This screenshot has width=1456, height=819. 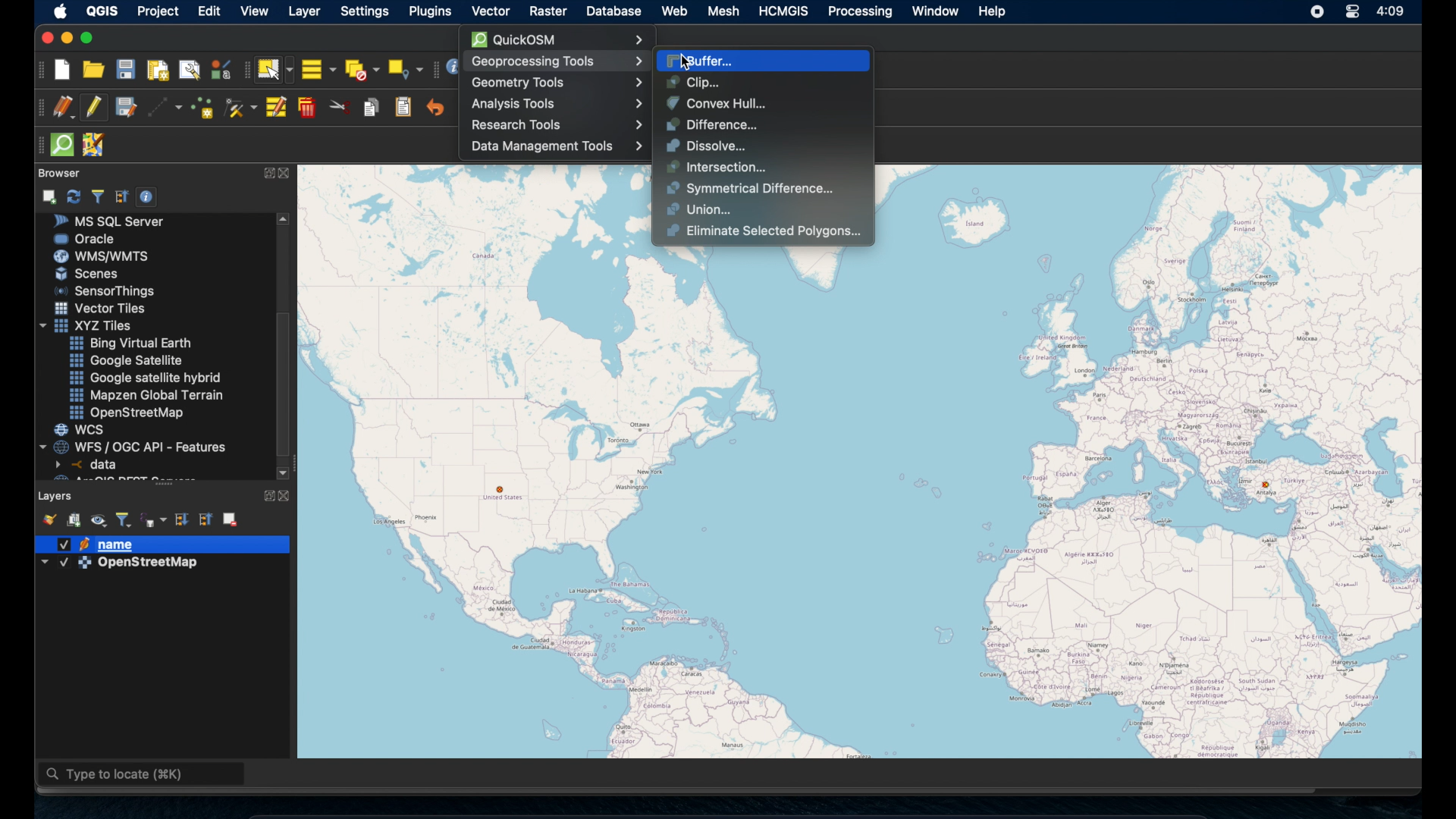 I want to click on Geometry Tools, so click(x=557, y=81).